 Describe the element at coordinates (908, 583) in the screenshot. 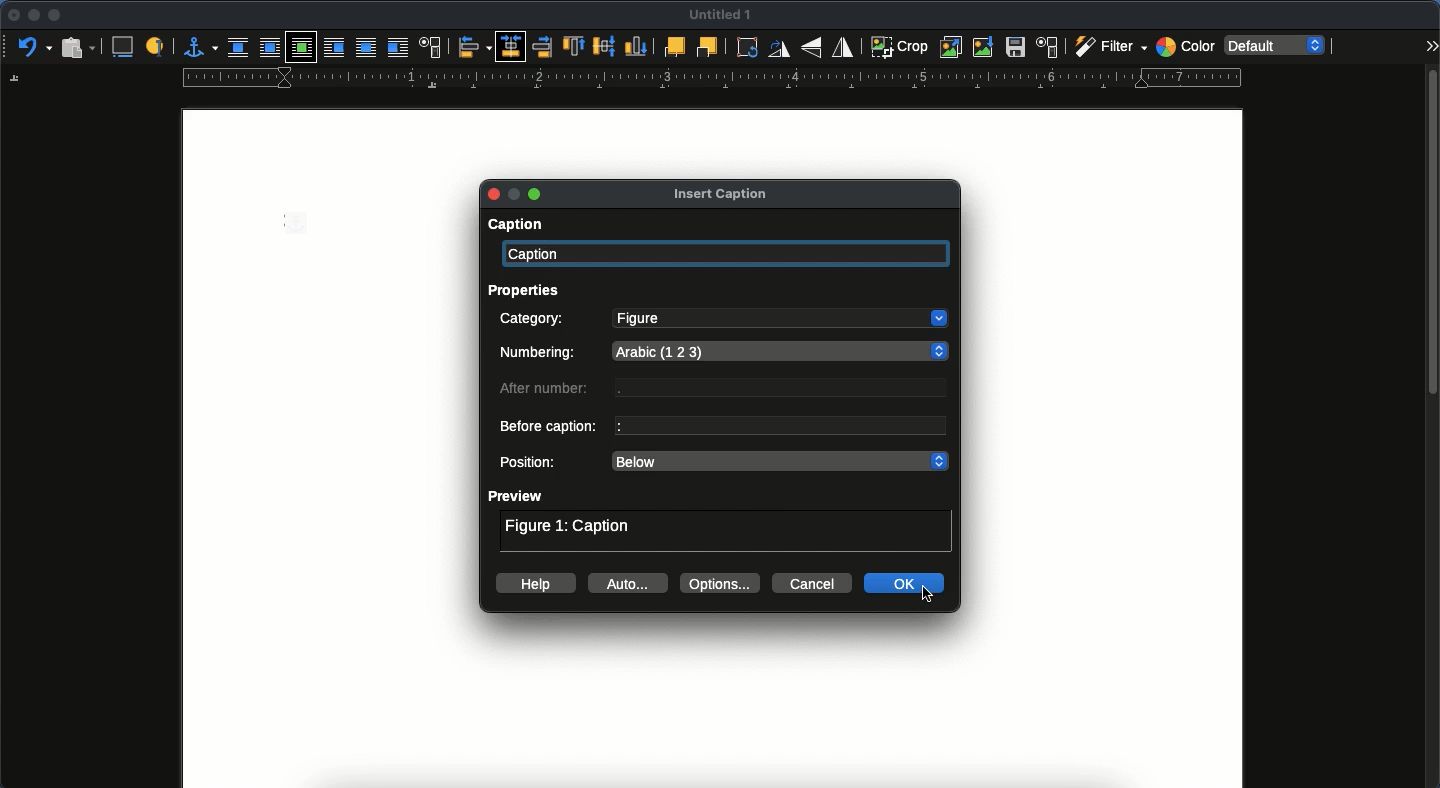

I see `ok` at that location.